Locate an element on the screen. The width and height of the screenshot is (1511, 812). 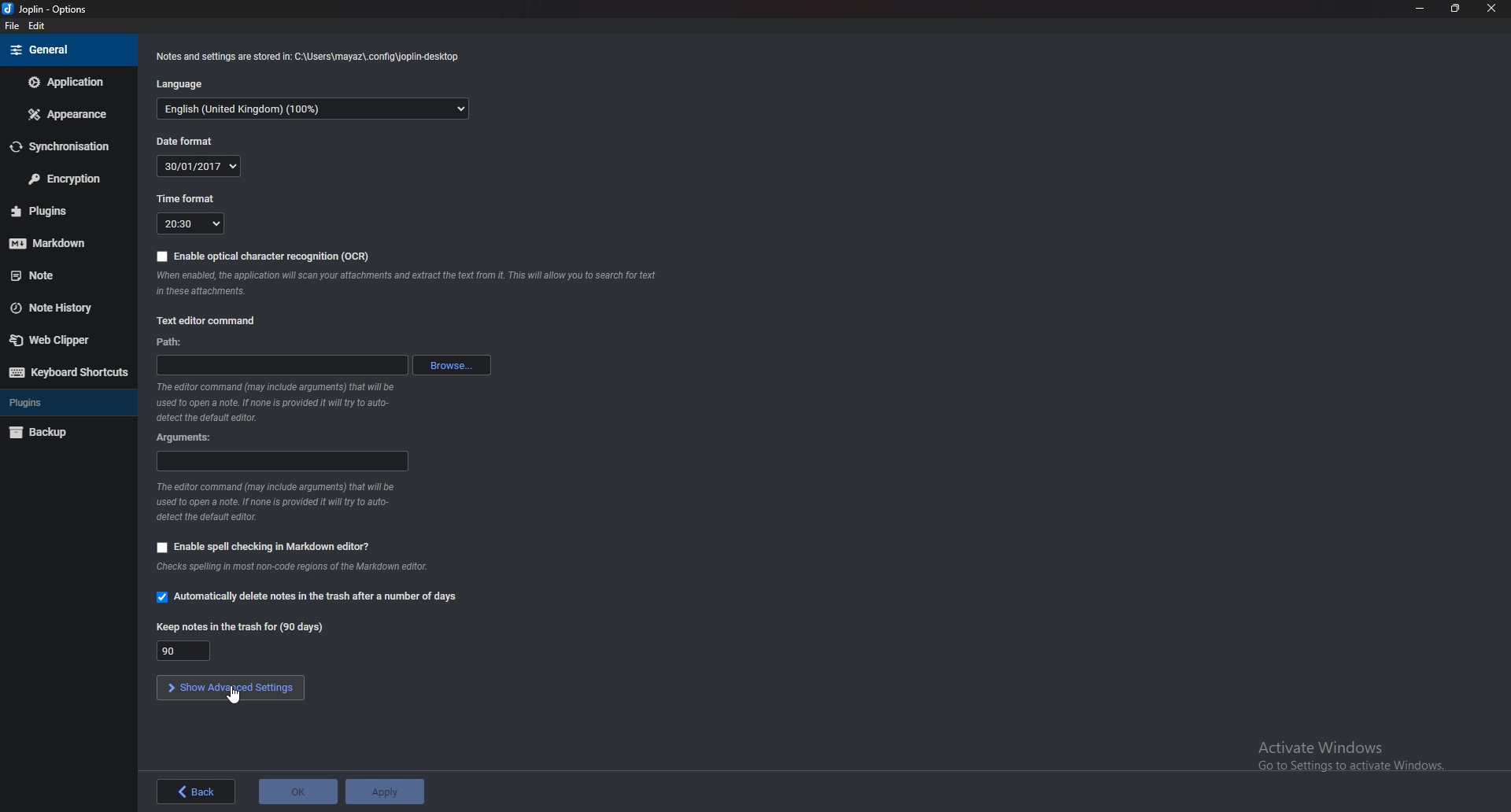
English is located at coordinates (314, 110).